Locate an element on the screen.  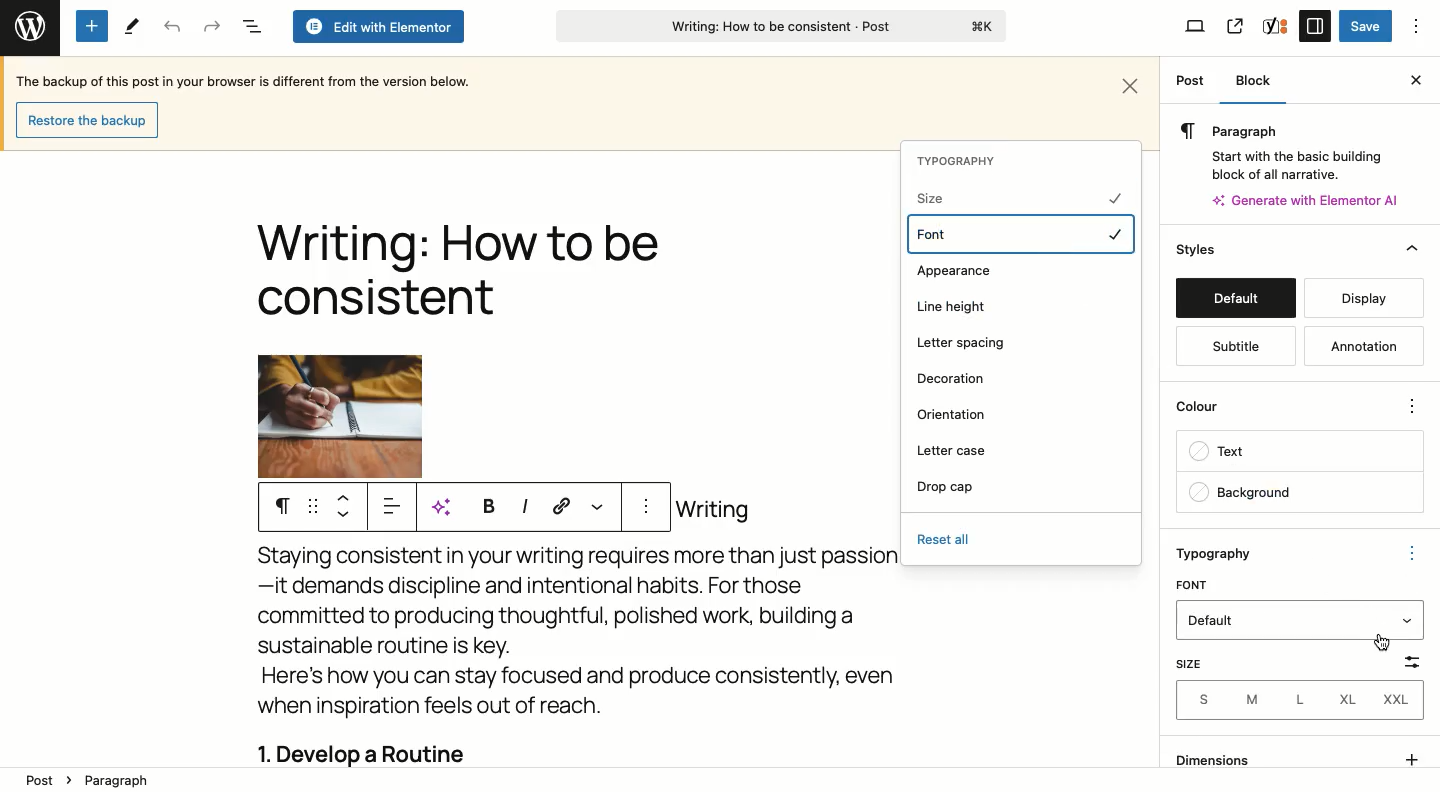
Start with the basic building block of all  narrative. is located at coordinates (1295, 162).